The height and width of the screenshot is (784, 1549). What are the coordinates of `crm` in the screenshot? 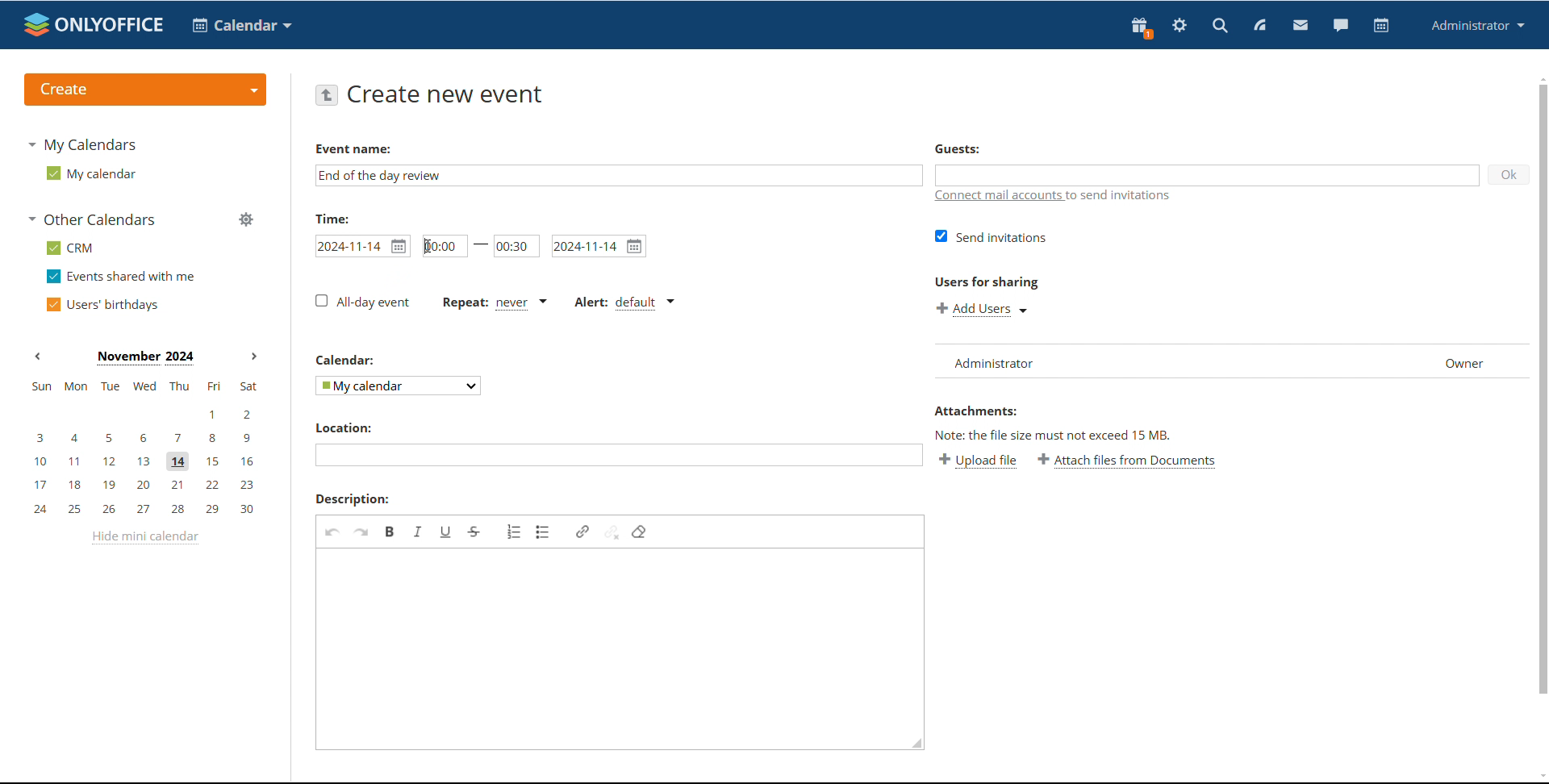 It's located at (71, 248).